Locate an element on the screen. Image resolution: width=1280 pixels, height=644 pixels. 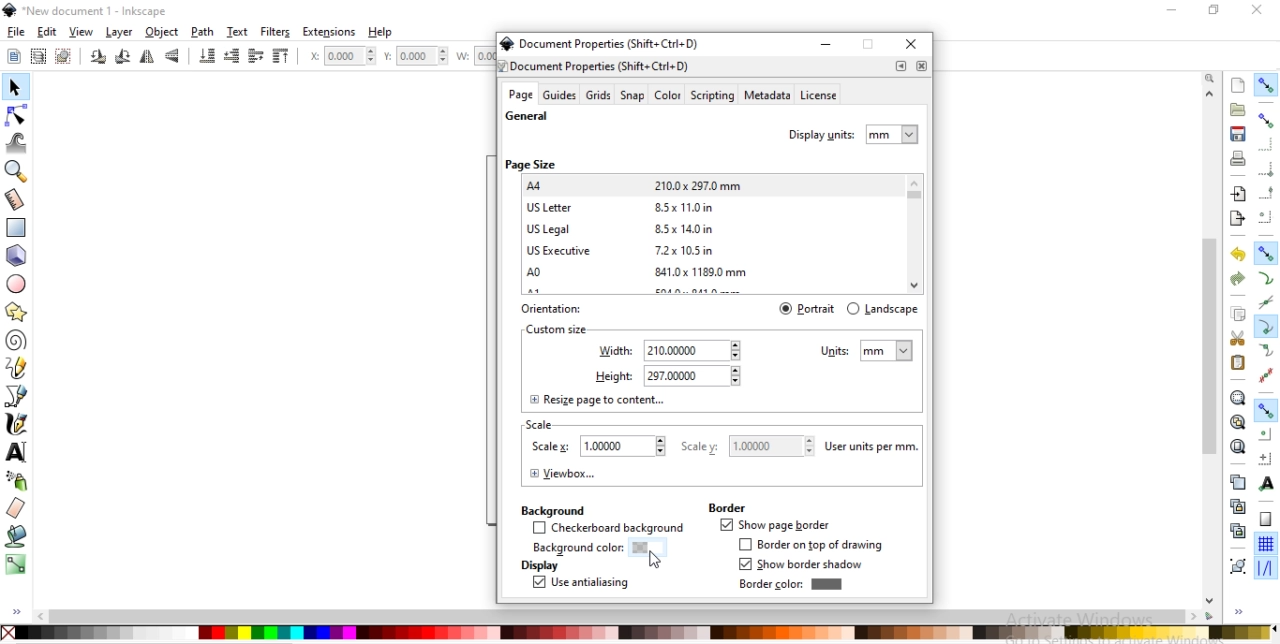
snap to page border is located at coordinates (1266, 520).